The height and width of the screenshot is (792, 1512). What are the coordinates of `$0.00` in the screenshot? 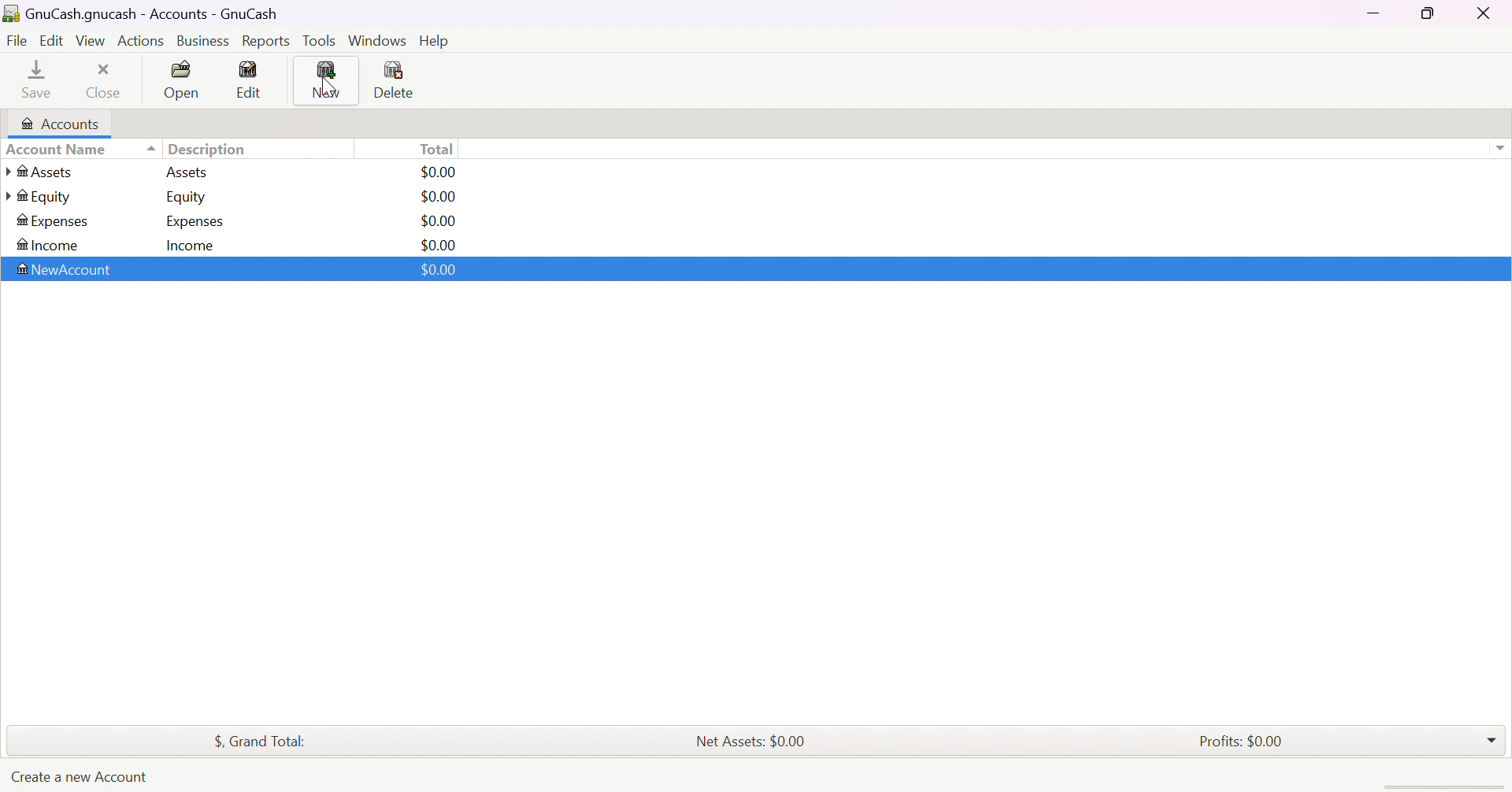 It's located at (439, 196).